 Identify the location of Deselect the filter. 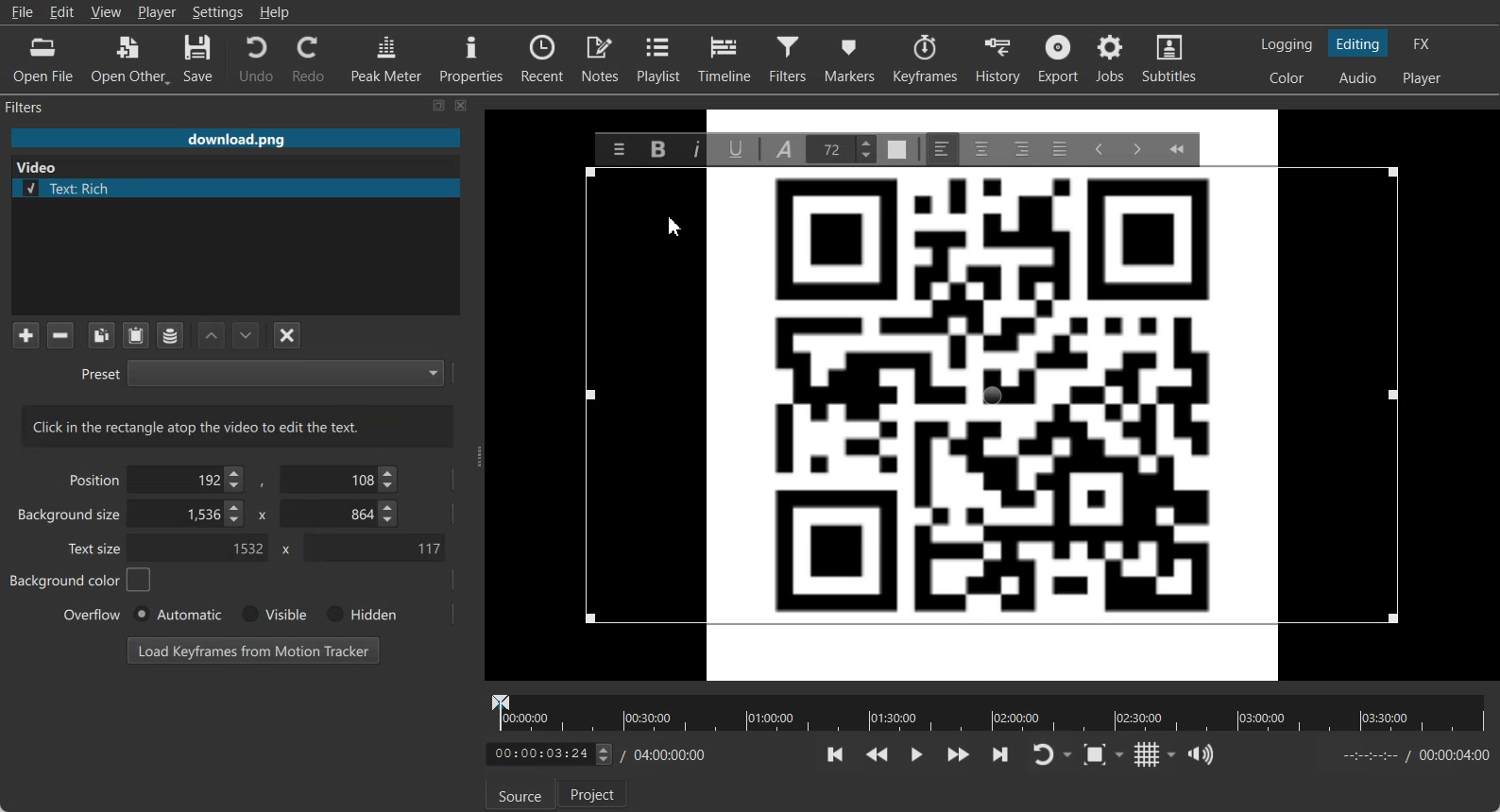
(288, 335).